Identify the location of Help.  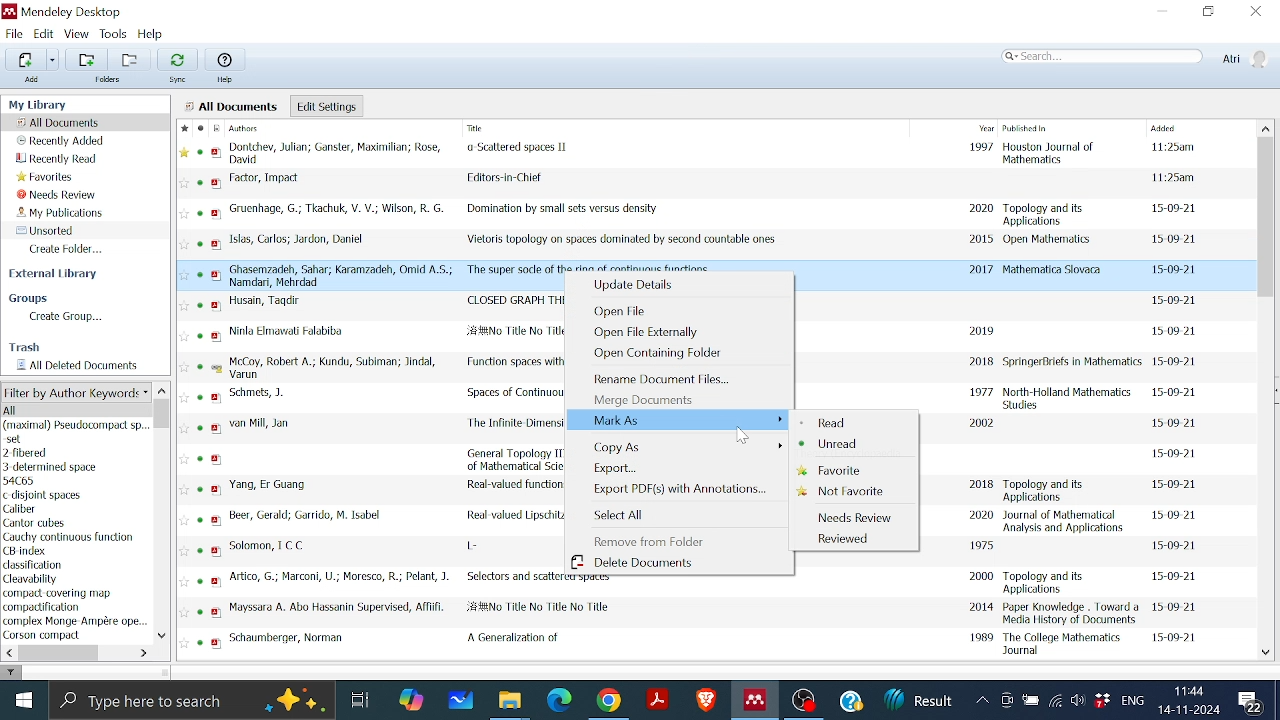
(151, 35).